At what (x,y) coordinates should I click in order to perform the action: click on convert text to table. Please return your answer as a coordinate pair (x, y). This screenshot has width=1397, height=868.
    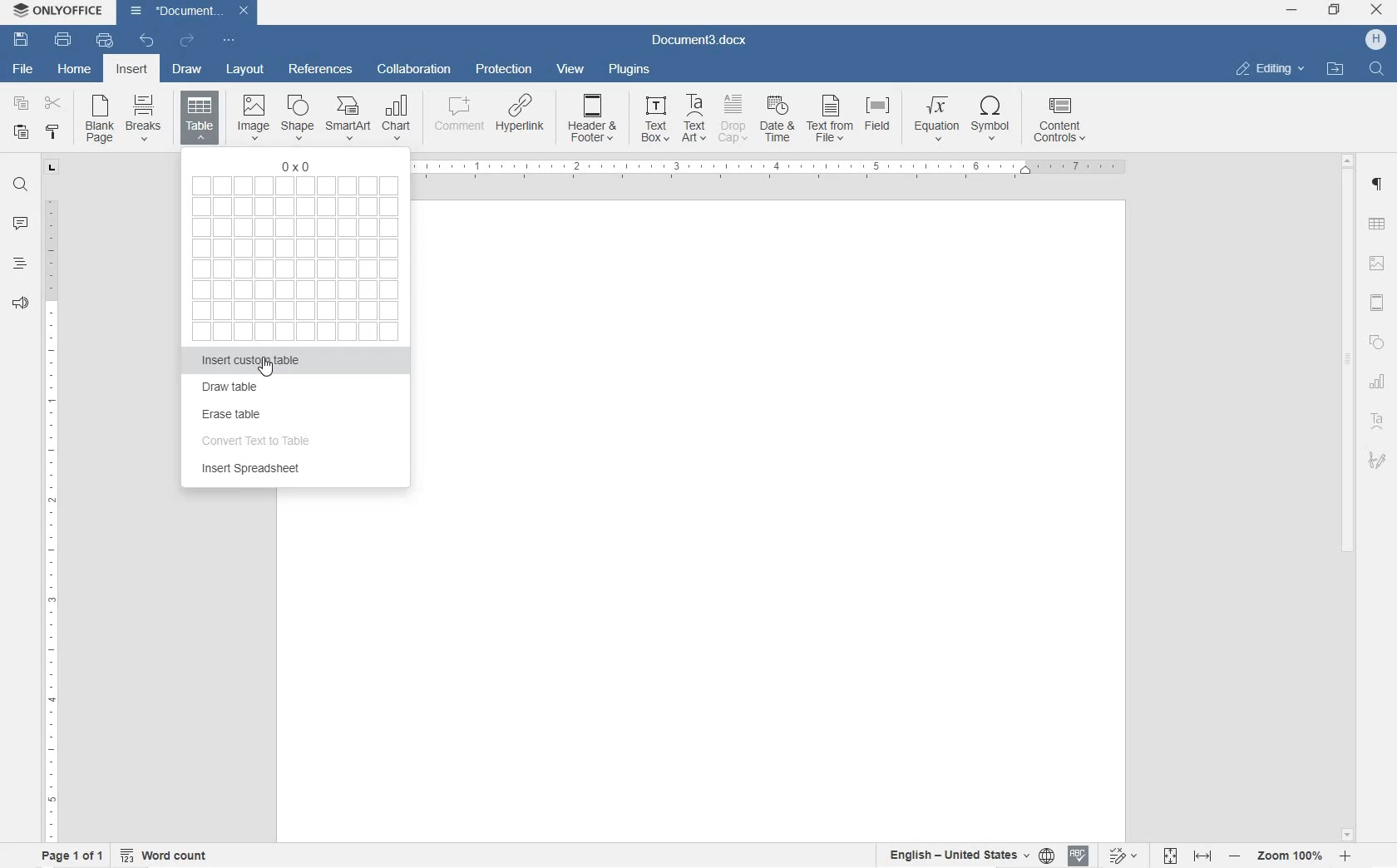
    Looking at the image, I should click on (285, 441).